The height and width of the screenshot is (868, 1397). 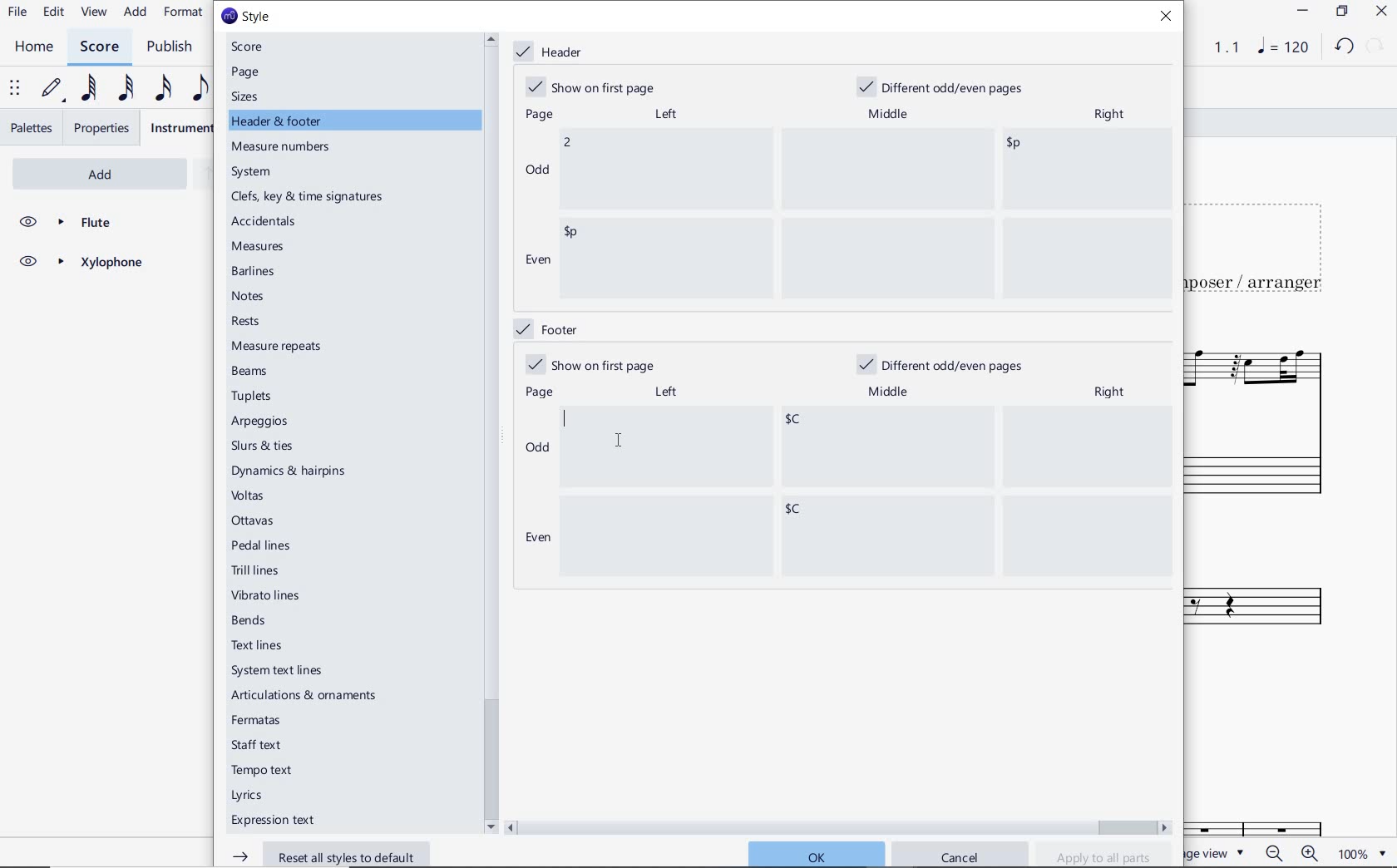 What do you see at coordinates (78, 172) in the screenshot?
I see `ADD` at bounding box center [78, 172].